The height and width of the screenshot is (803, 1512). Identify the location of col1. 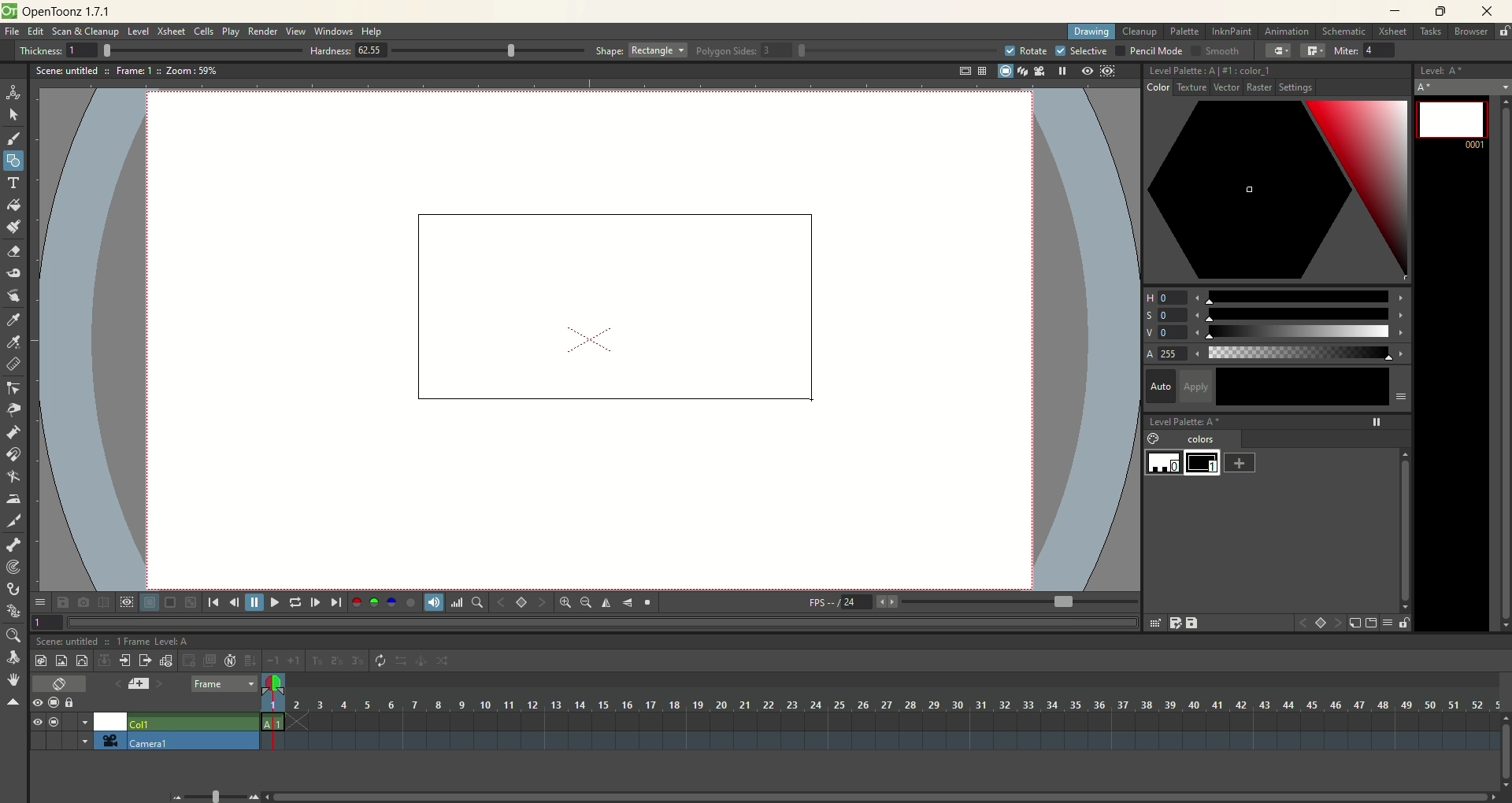
(192, 720).